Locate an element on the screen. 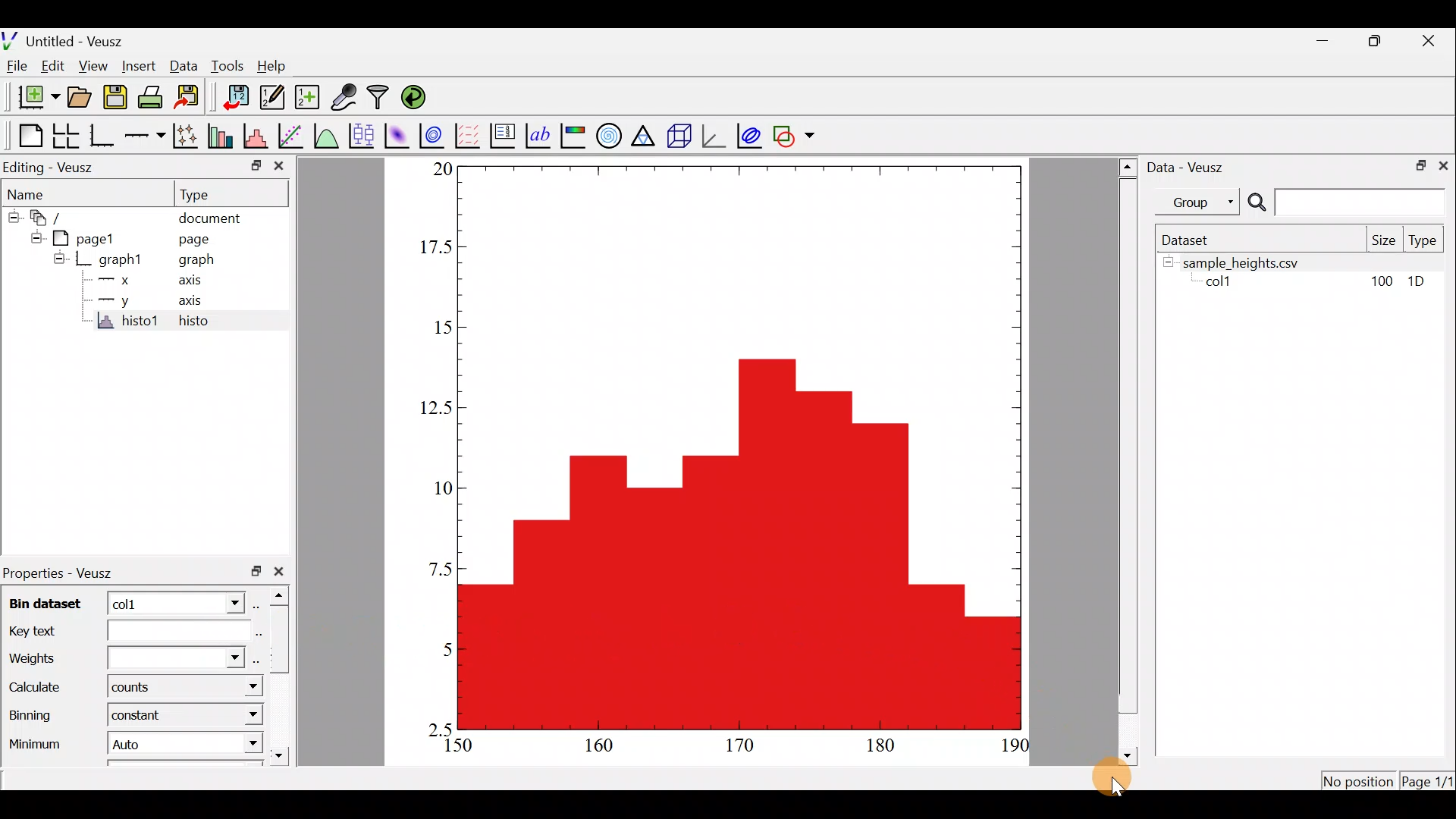  create new datasets using ranges, parametrically or as functions of existing dataset. is located at coordinates (306, 96).